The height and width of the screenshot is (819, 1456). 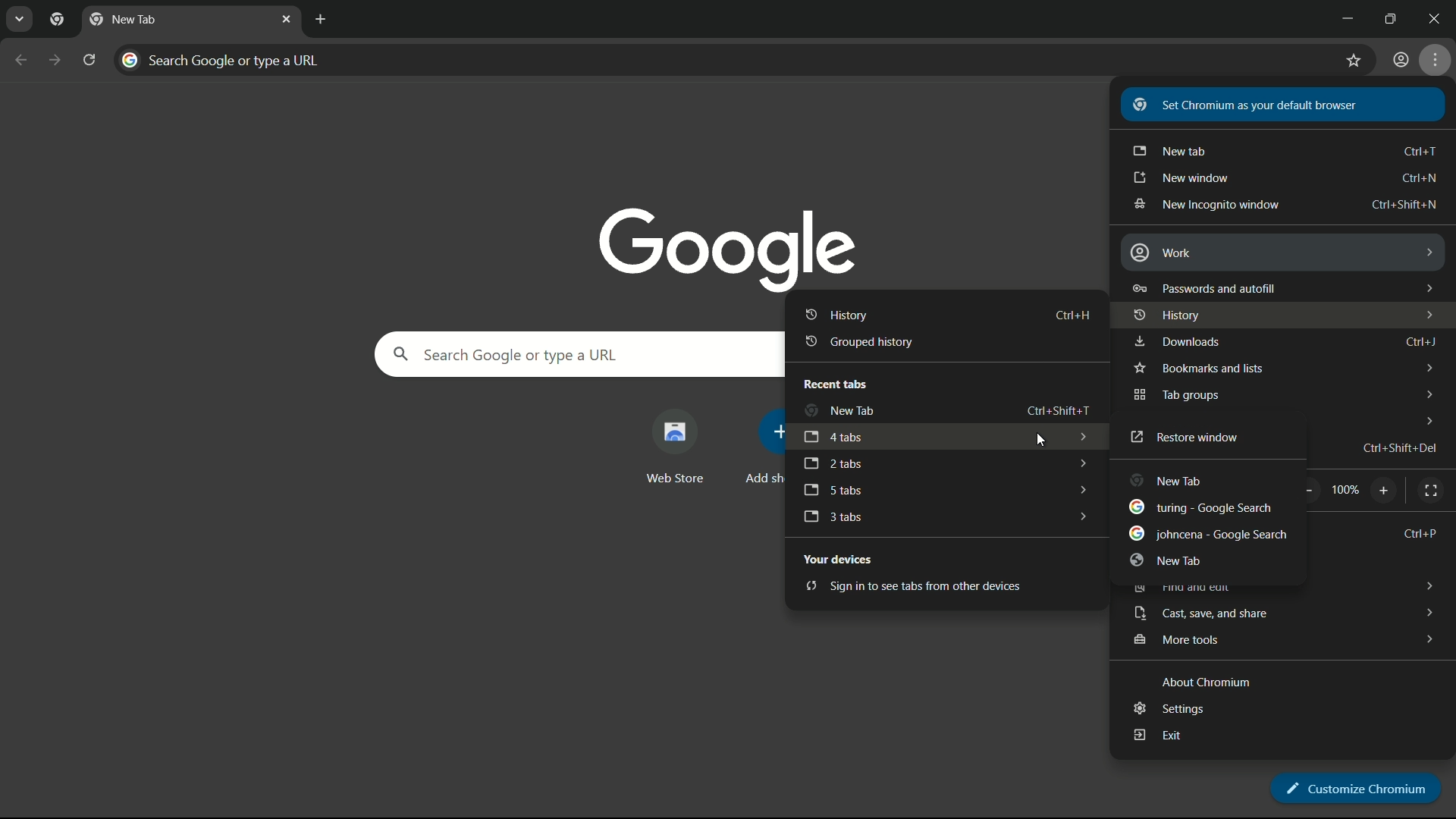 I want to click on add more shortcut, so click(x=763, y=448).